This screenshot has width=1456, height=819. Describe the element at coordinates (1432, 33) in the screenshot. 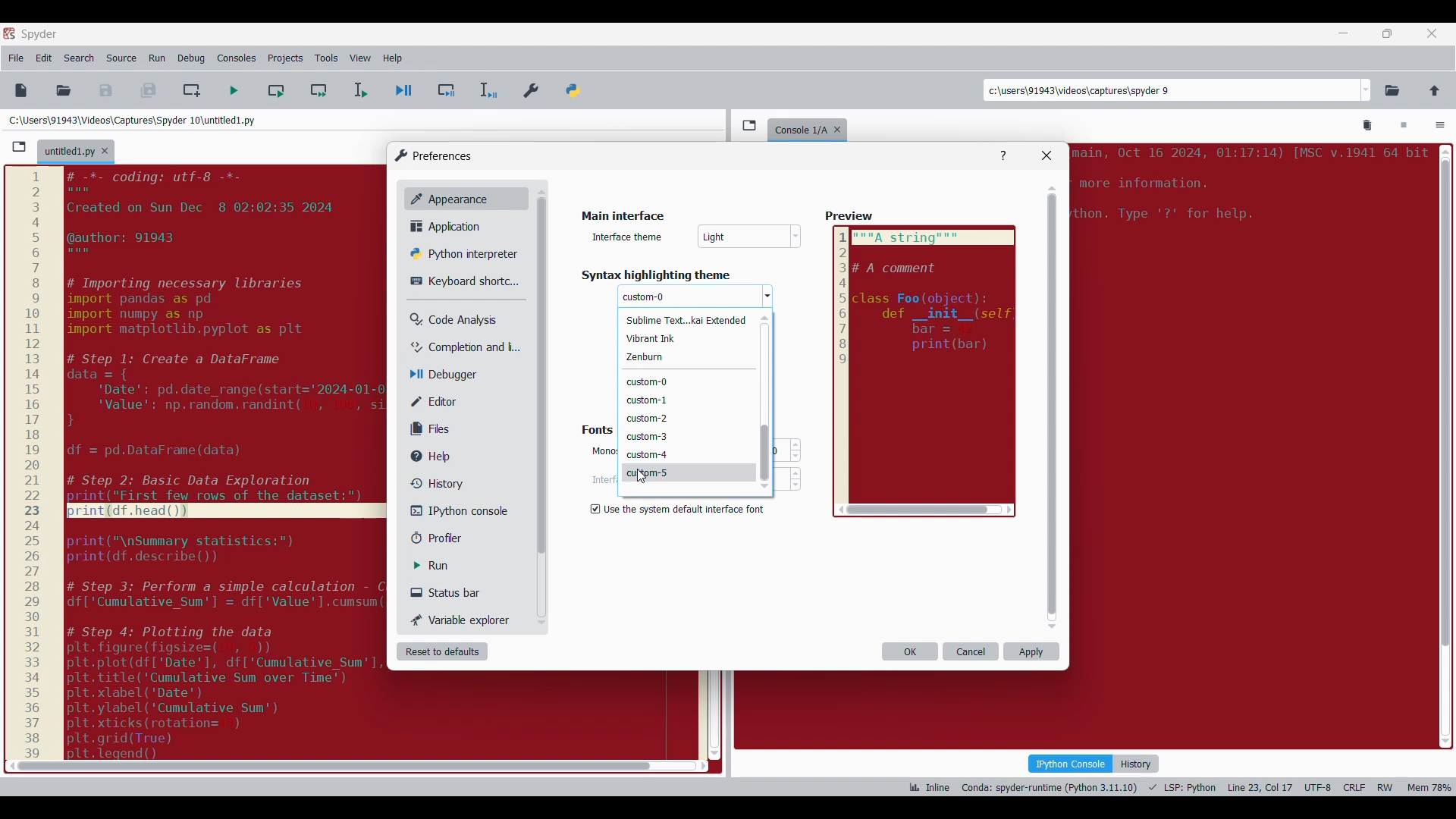

I see `Close tab` at that location.